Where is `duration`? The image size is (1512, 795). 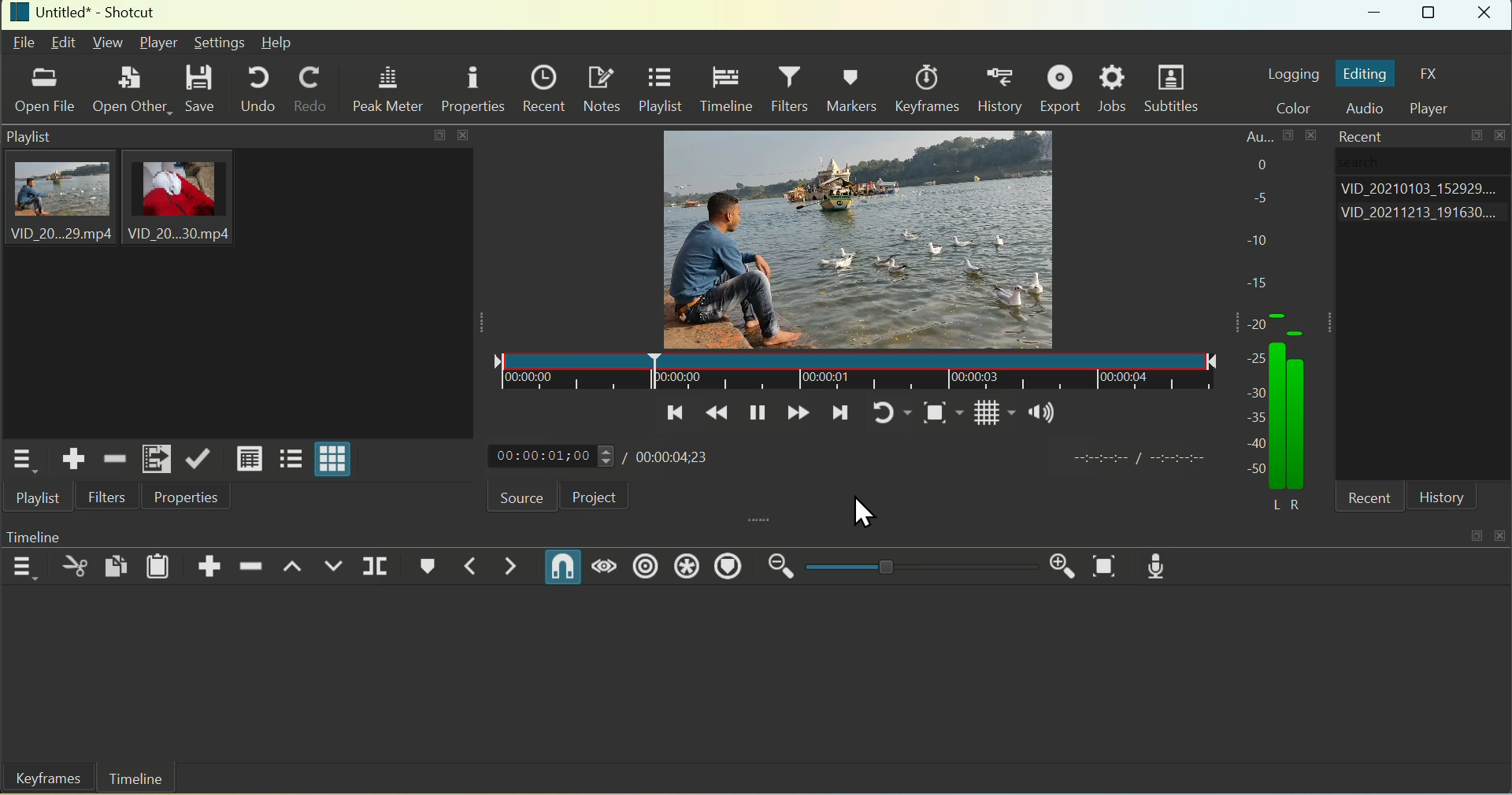
duration is located at coordinates (1136, 460).